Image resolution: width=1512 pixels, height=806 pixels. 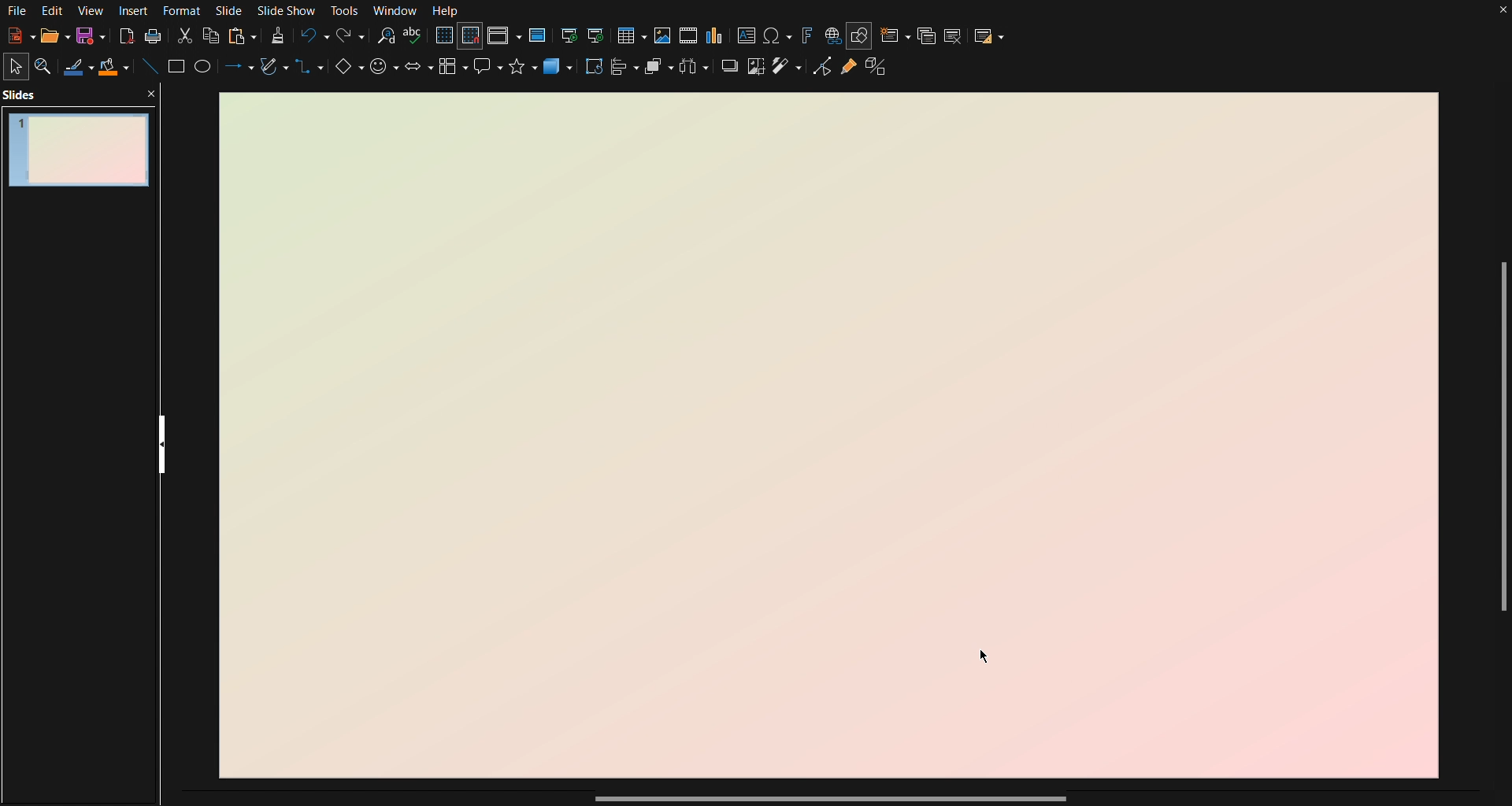 I want to click on Insert media, so click(x=688, y=35).